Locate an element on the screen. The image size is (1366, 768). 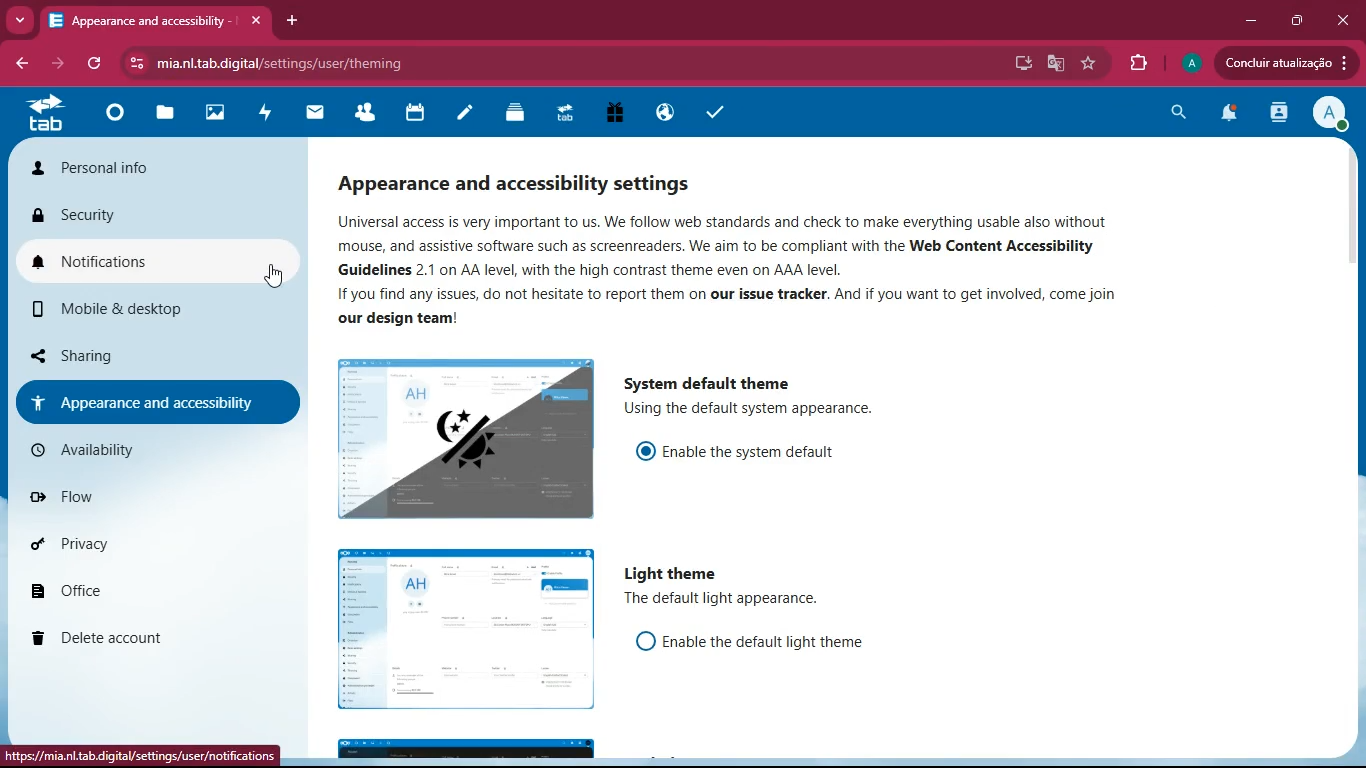
notifications is located at coordinates (152, 256).